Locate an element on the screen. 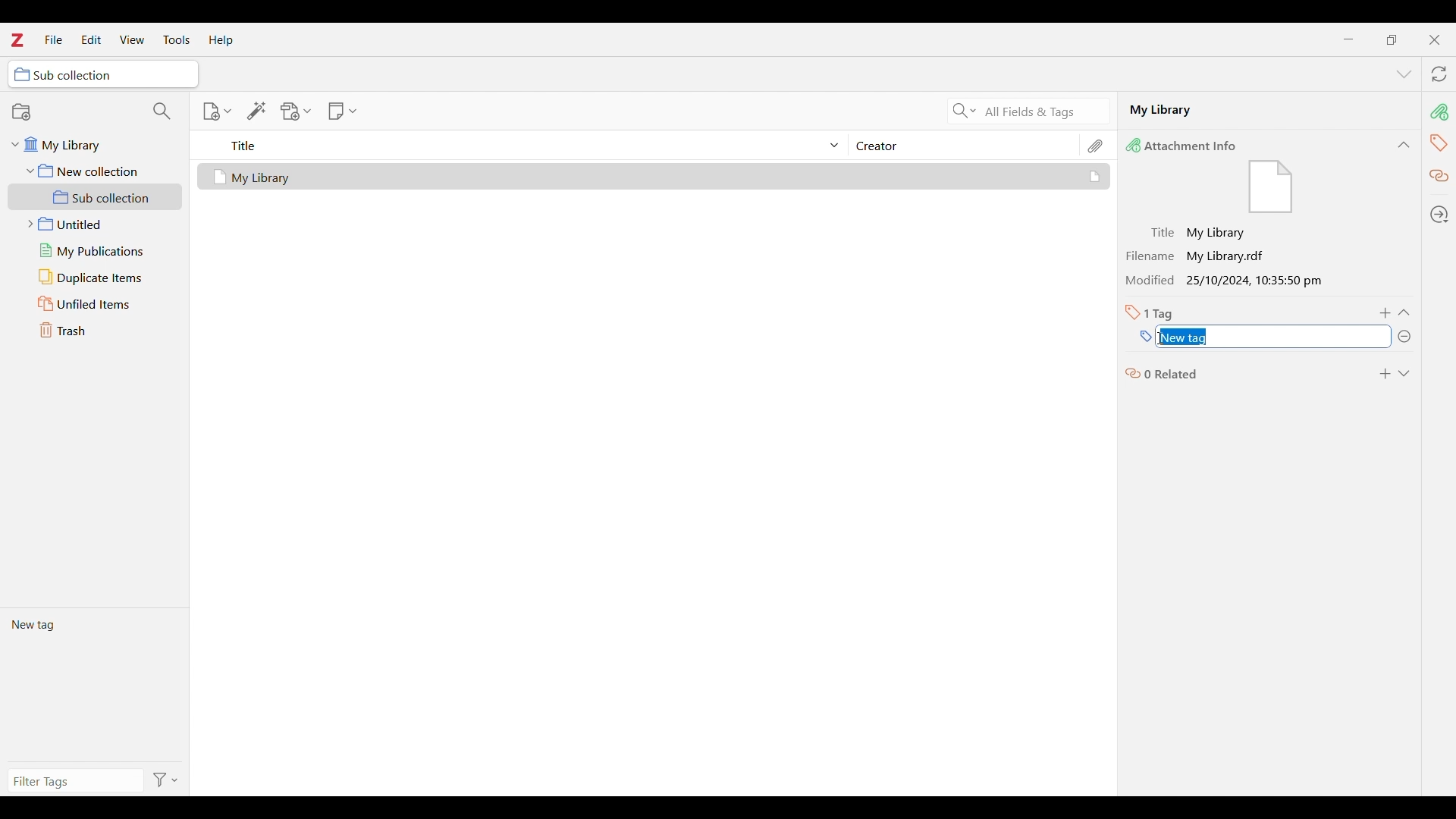 The image size is (1456, 819). View menu is located at coordinates (133, 39).